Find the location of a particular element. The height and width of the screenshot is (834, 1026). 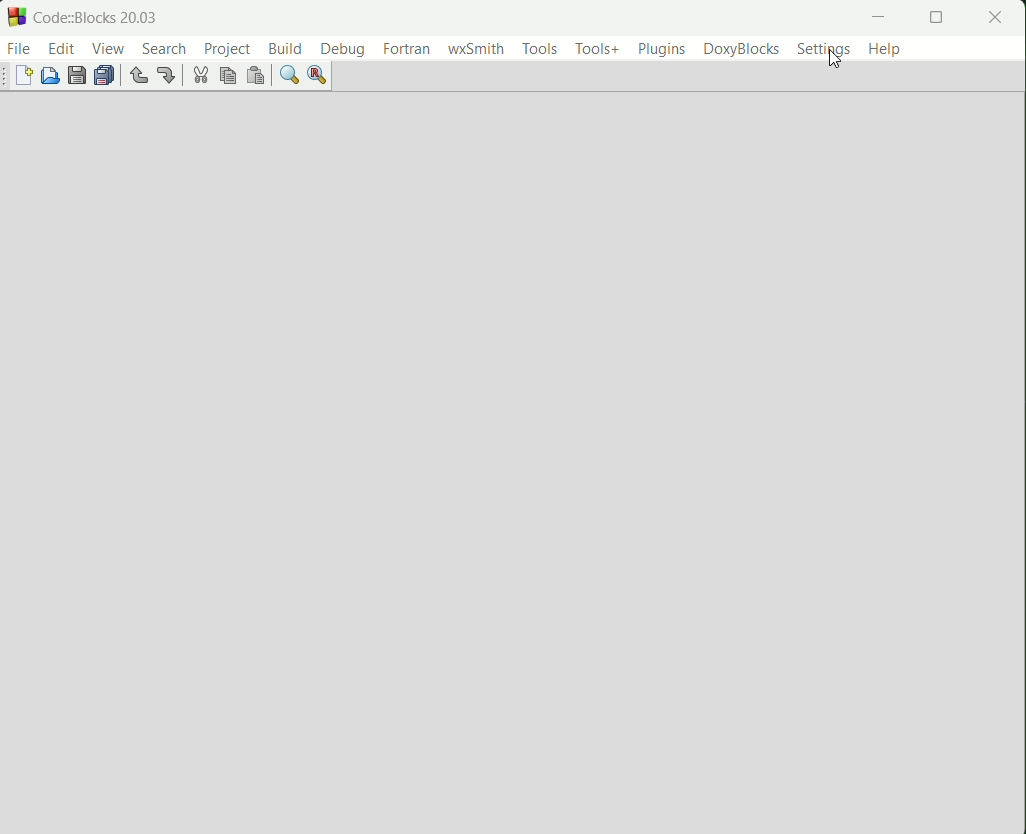

fortran is located at coordinates (406, 48).